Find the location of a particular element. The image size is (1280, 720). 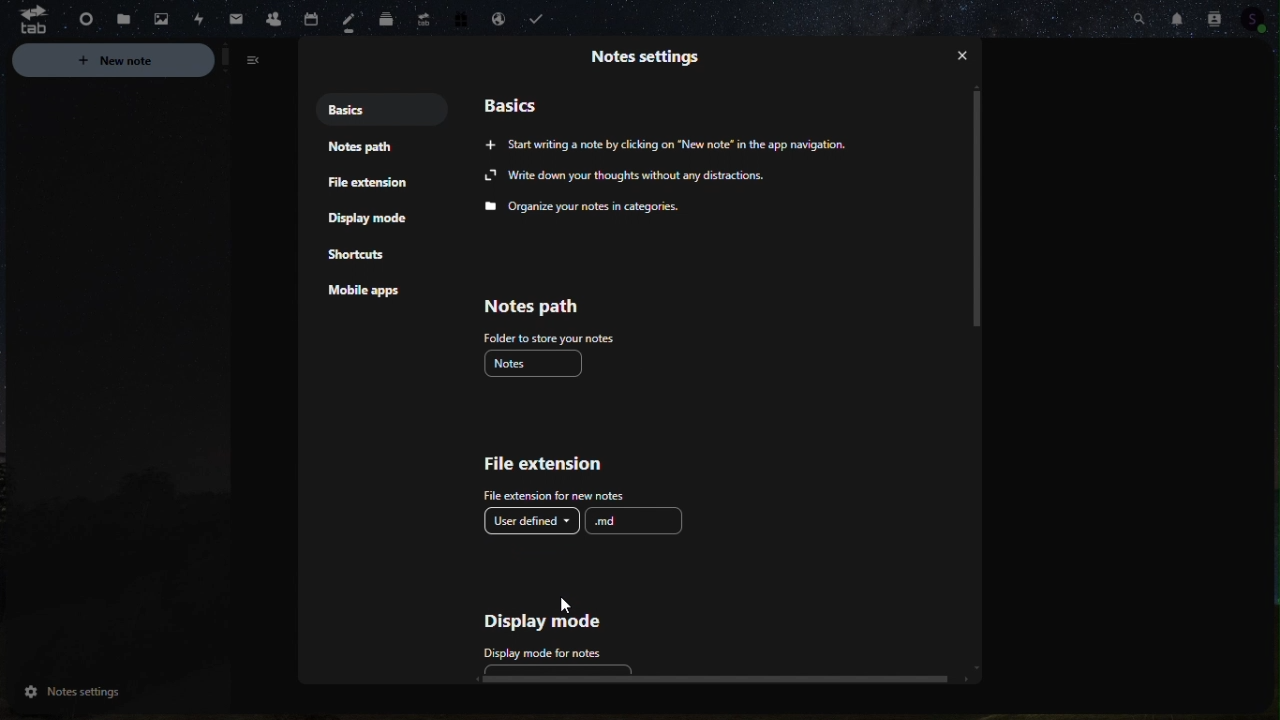

dashboard is located at coordinates (79, 16).